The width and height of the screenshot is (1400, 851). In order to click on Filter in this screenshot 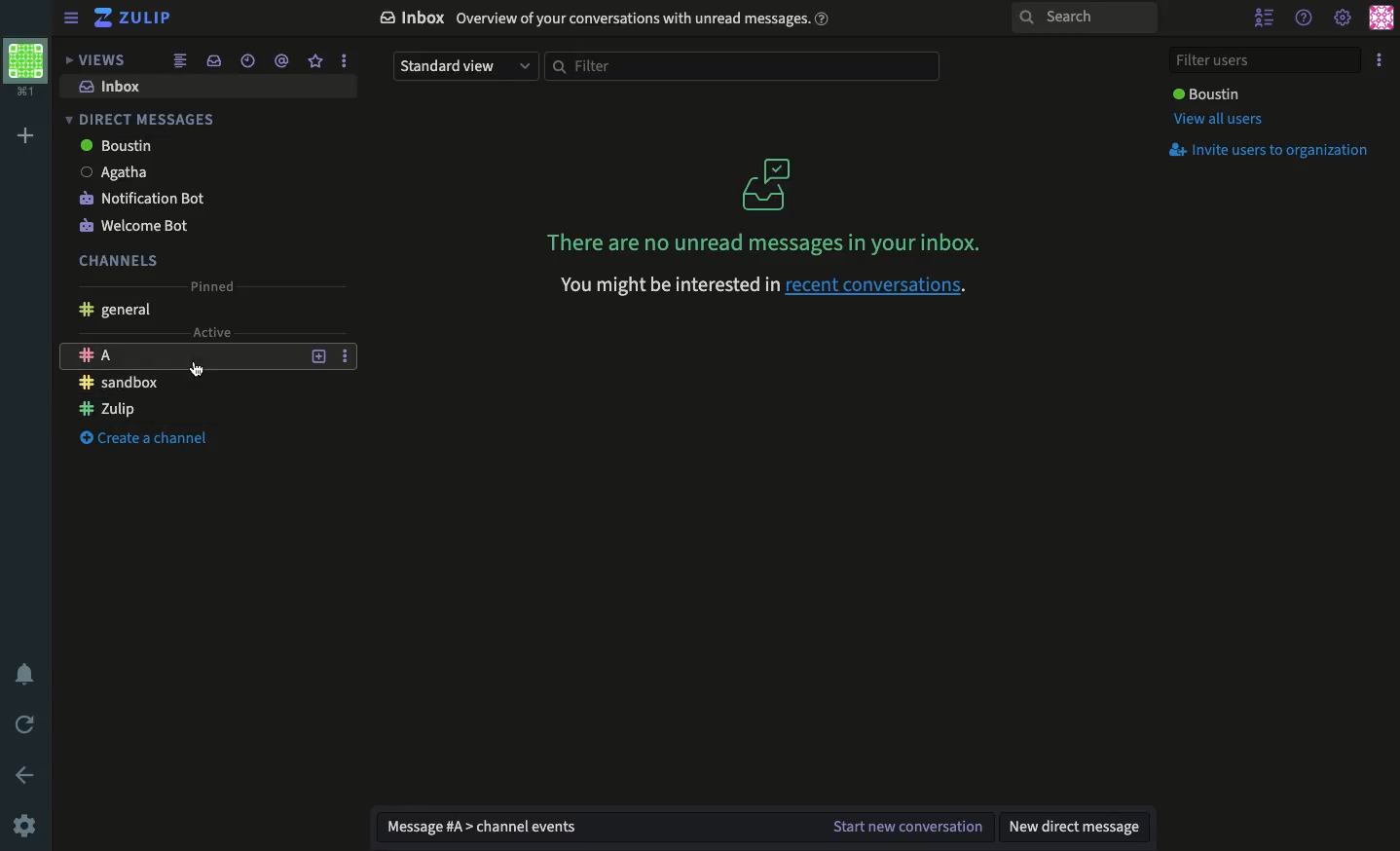, I will do `click(745, 67)`.